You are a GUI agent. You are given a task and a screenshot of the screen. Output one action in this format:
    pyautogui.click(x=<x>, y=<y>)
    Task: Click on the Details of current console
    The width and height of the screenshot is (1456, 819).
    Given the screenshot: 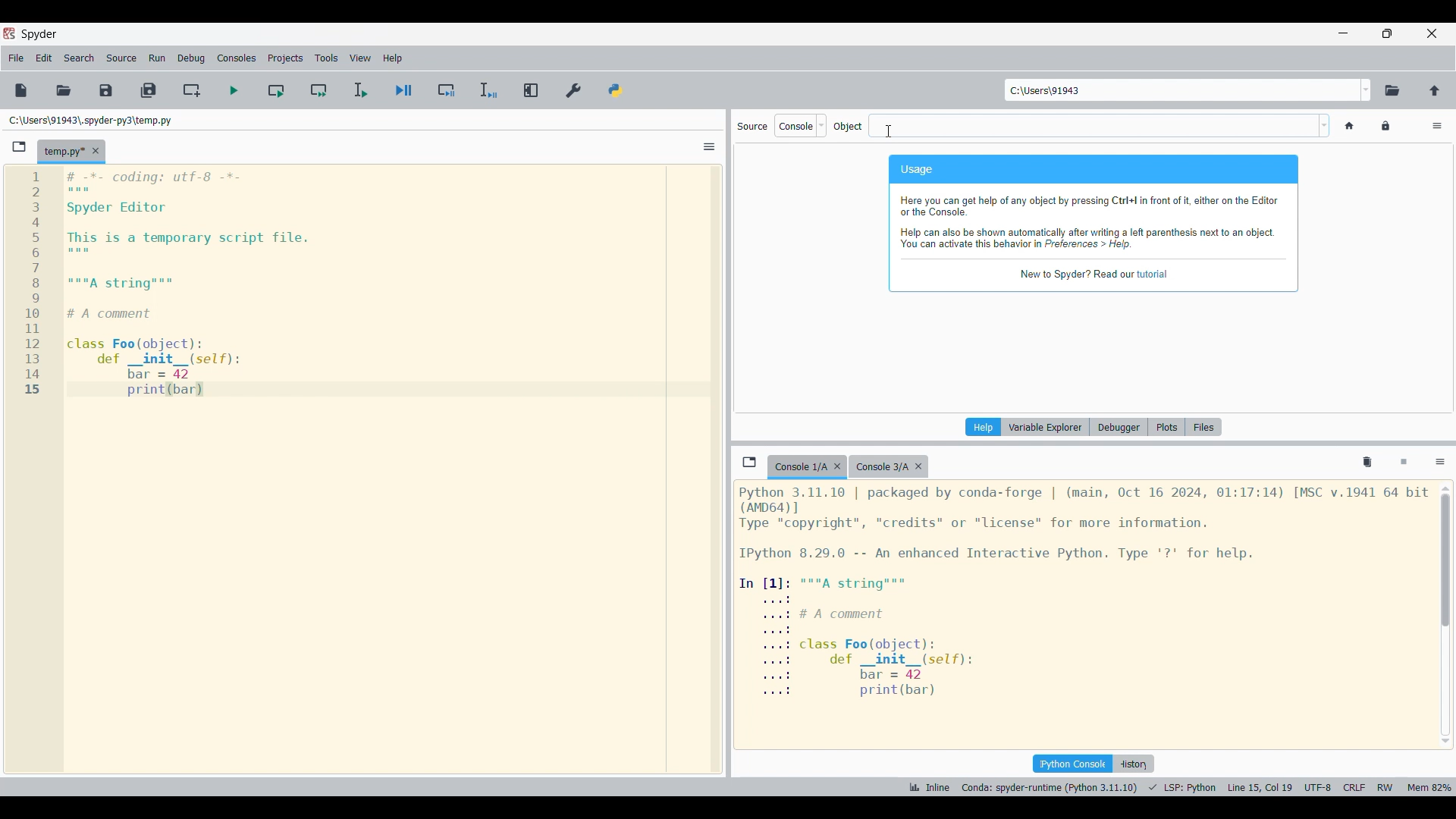 What is the action you would take?
    pyautogui.click(x=1084, y=591)
    